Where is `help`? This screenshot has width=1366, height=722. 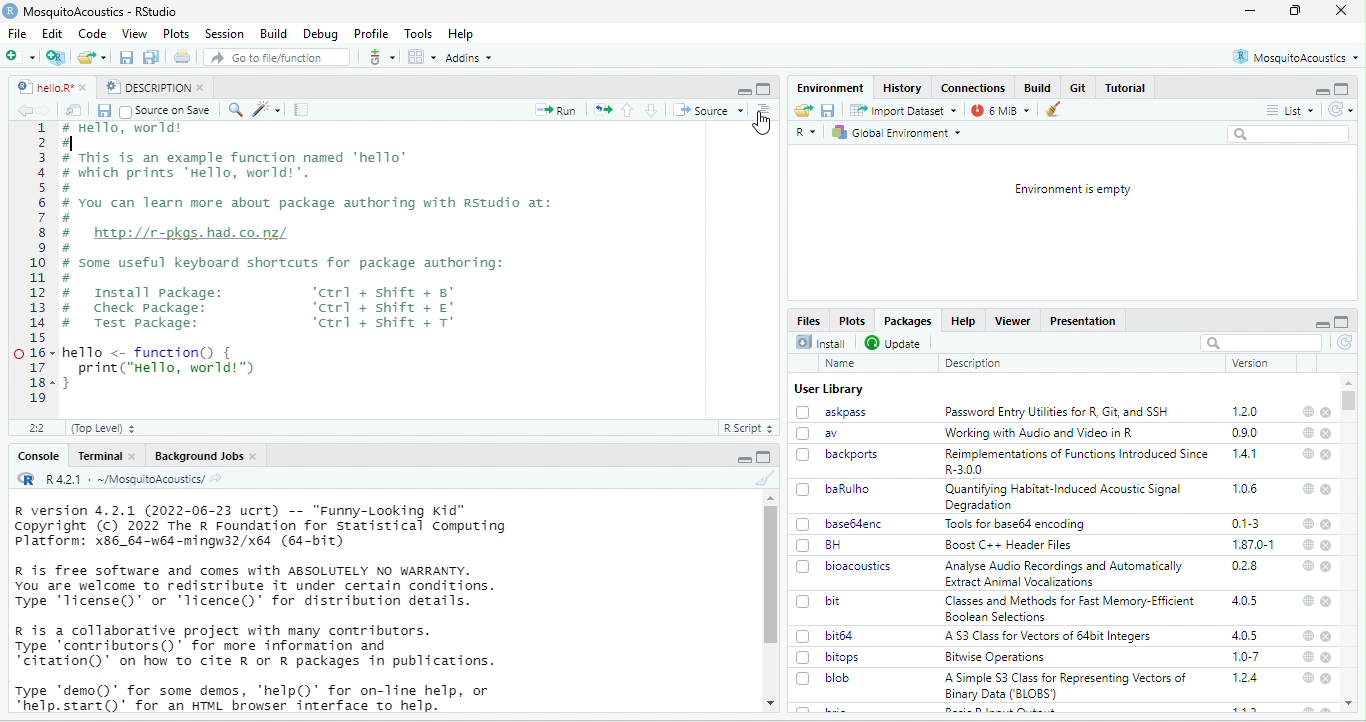 help is located at coordinates (1306, 679).